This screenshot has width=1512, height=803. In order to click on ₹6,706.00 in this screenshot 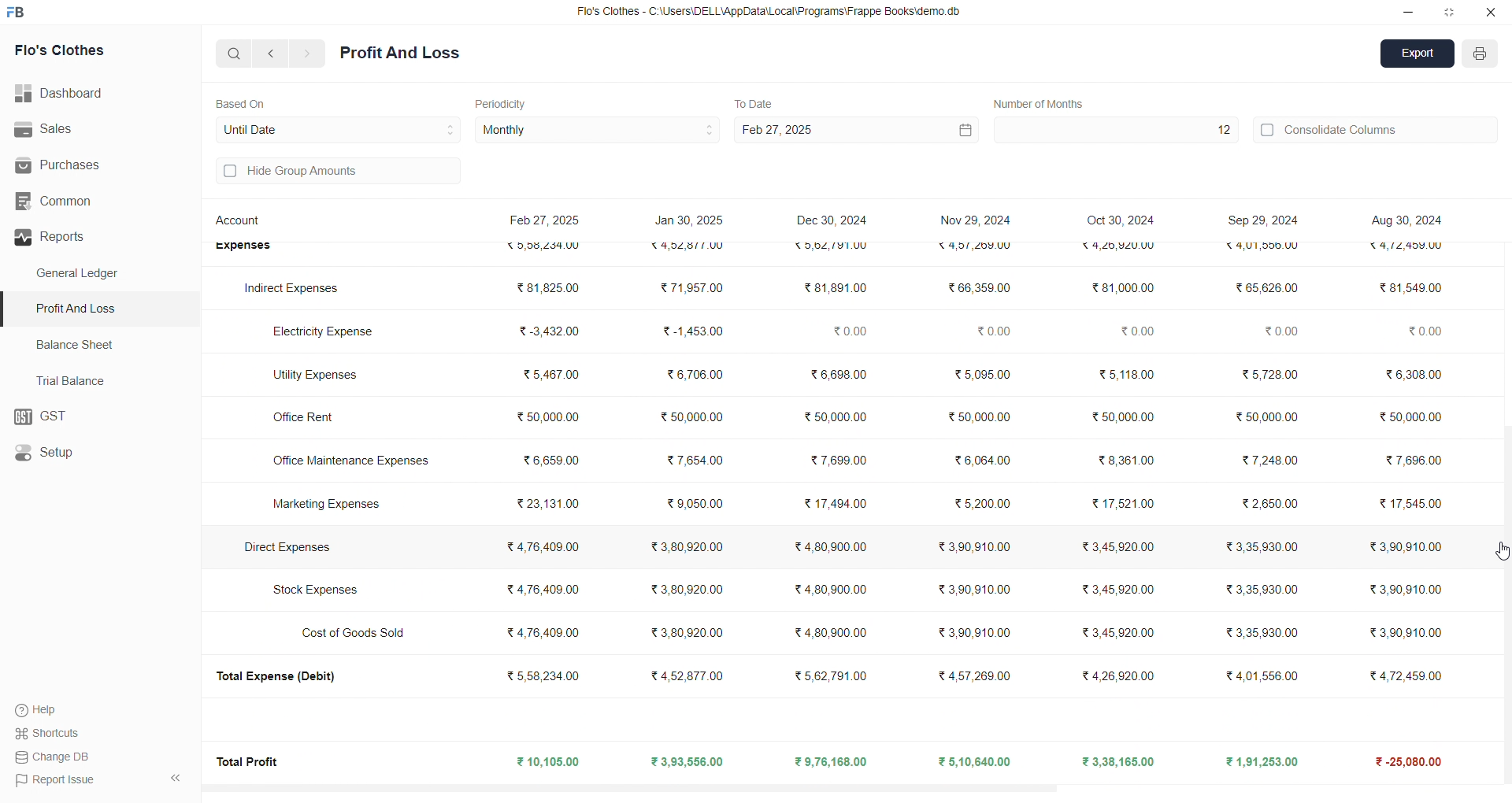, I will do `click(694, 373)`.